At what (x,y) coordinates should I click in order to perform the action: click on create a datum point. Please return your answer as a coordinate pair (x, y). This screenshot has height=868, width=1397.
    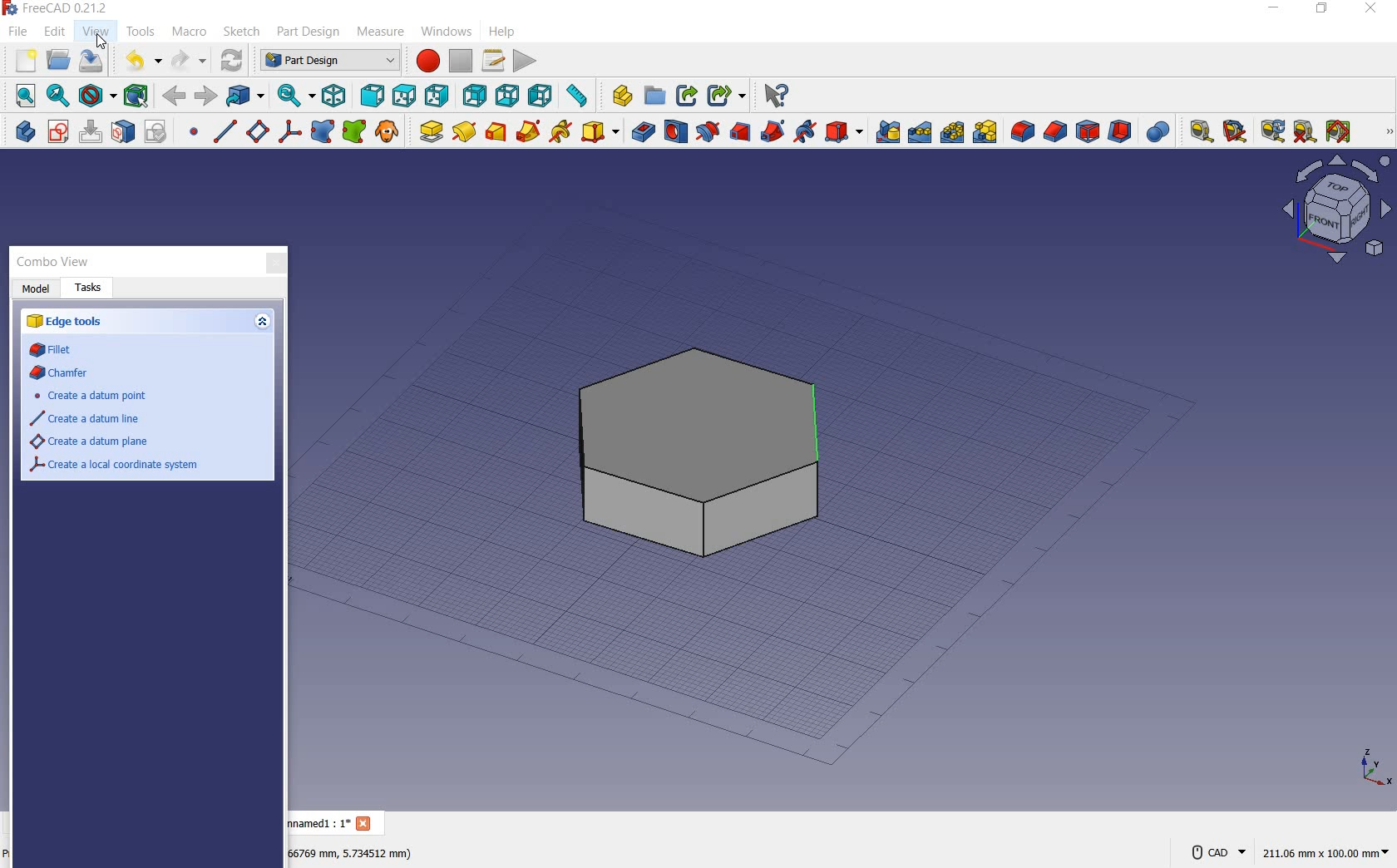
    Looking at the image, I should click on (90, 396).